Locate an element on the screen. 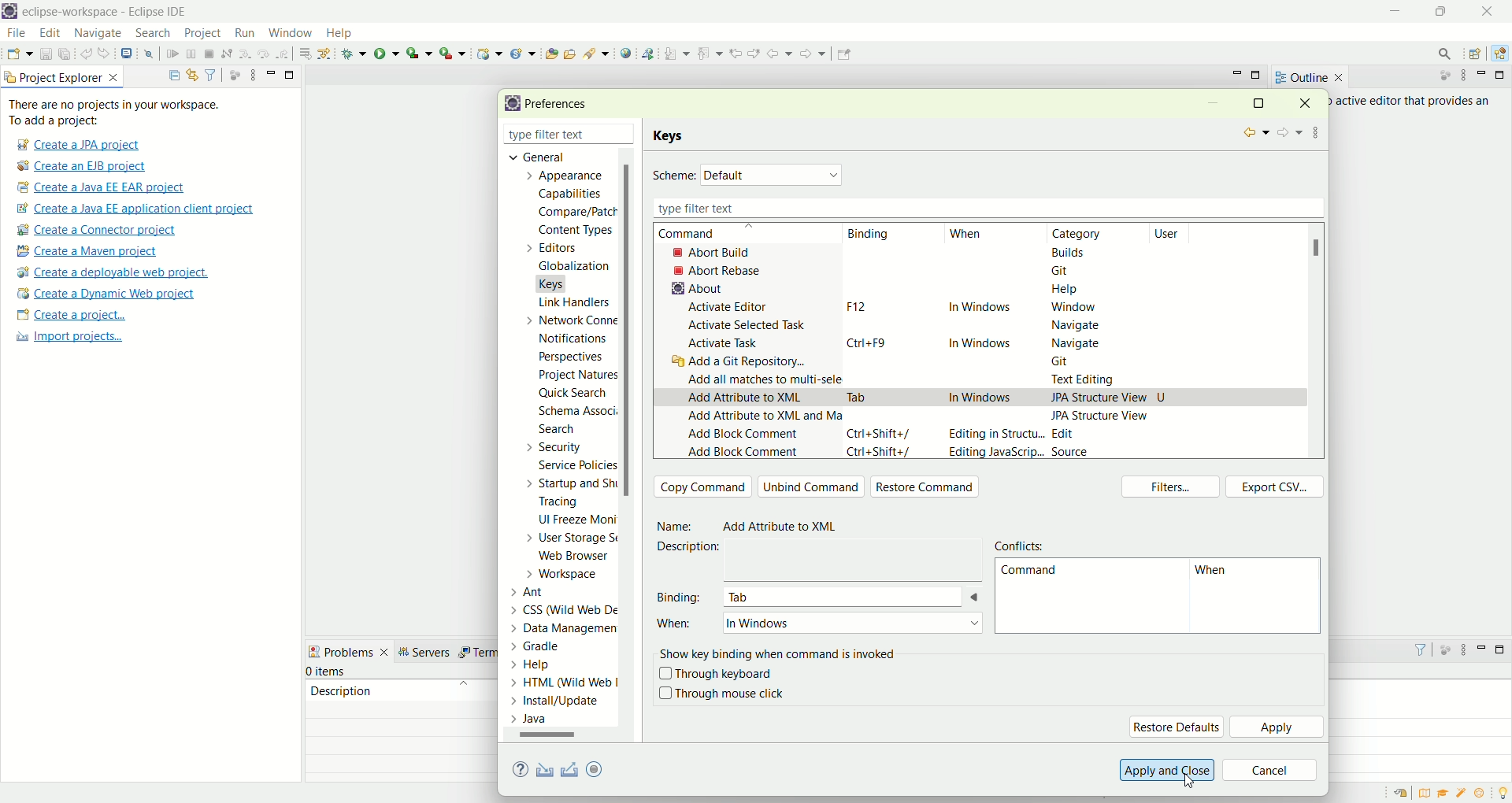 This screenshot has height=803, width=1512. in windows is located at coordinates (982, 340).